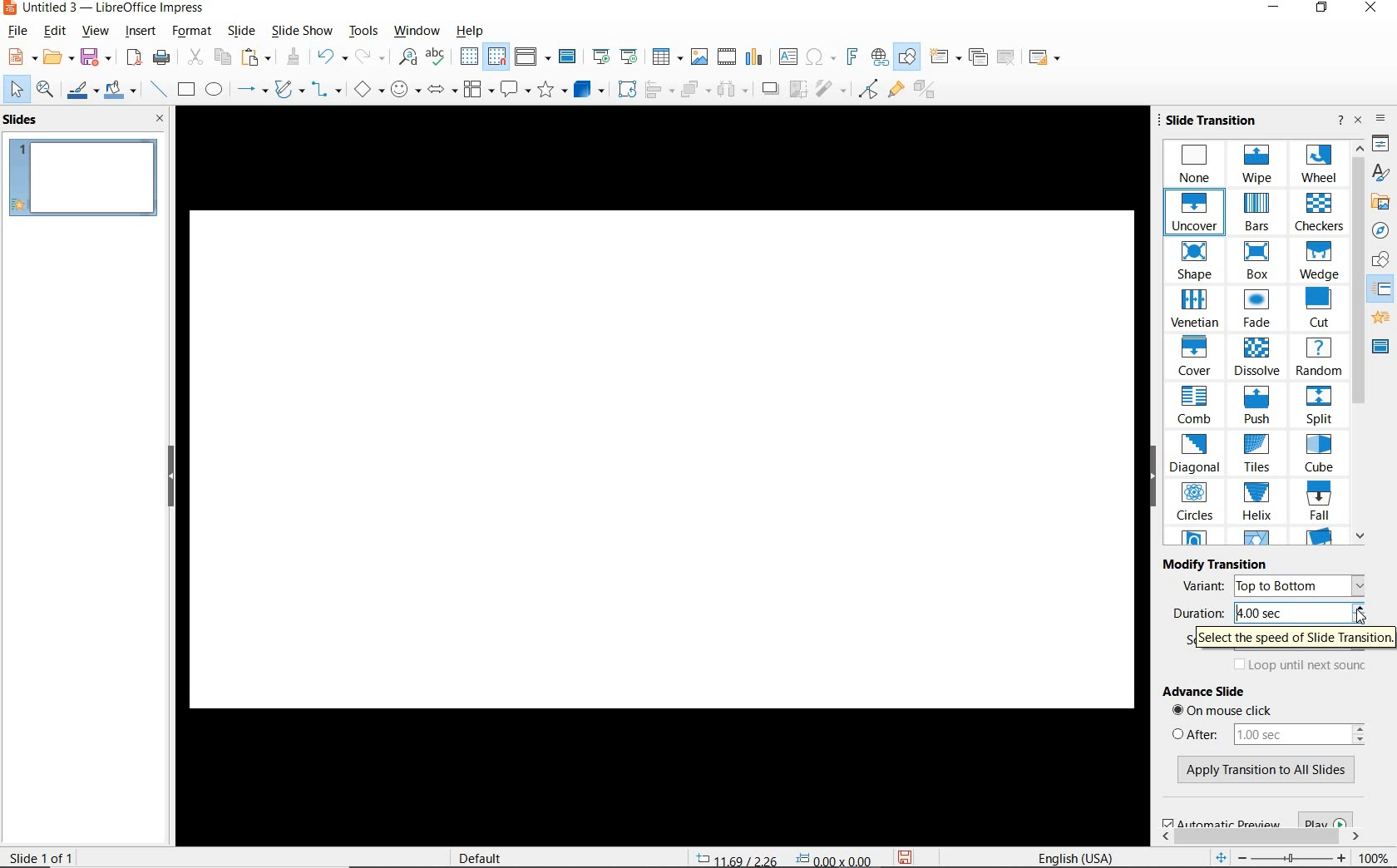 The image size is (1397, 868). I want to click on HELP ABOUT THIS SIDEBAR DECK, so click(1341, 121).